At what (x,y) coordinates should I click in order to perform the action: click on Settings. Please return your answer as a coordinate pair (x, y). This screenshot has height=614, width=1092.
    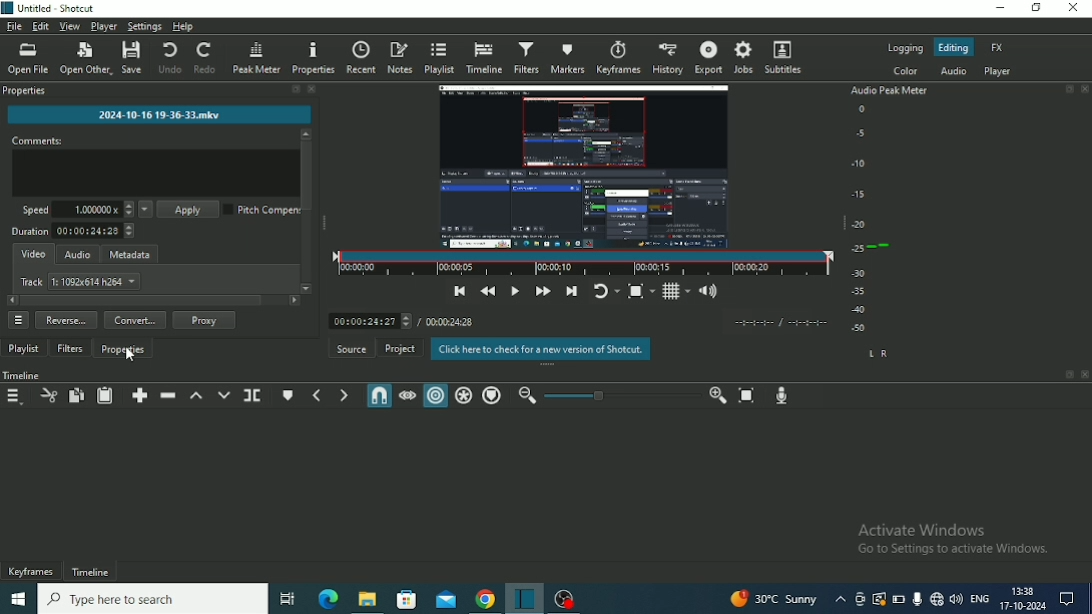
    Looking at the image, I should click on (144, 26).